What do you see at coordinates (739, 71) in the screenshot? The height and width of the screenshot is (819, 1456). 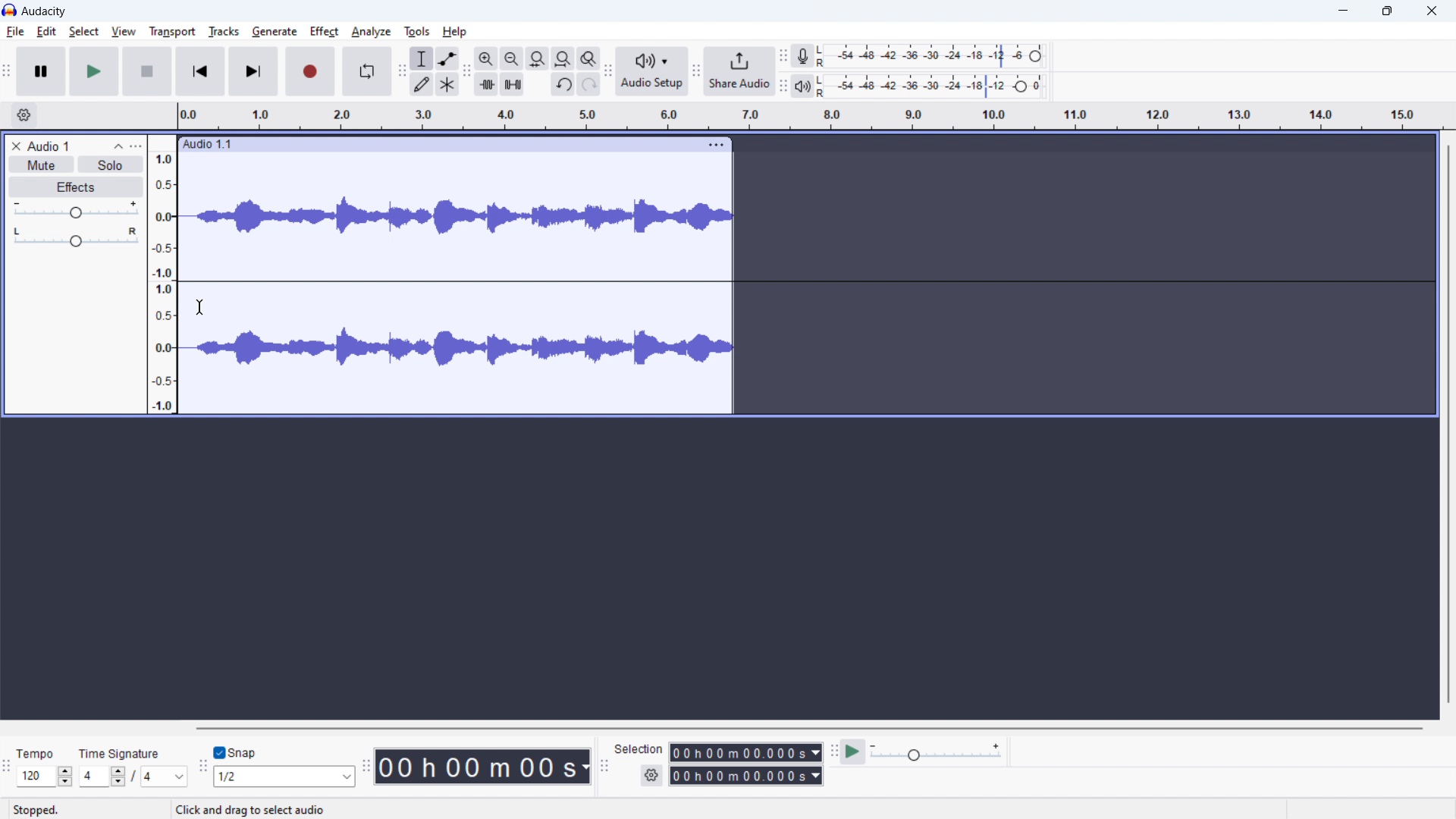 I see `share audio` at bounding box center [739, 71].